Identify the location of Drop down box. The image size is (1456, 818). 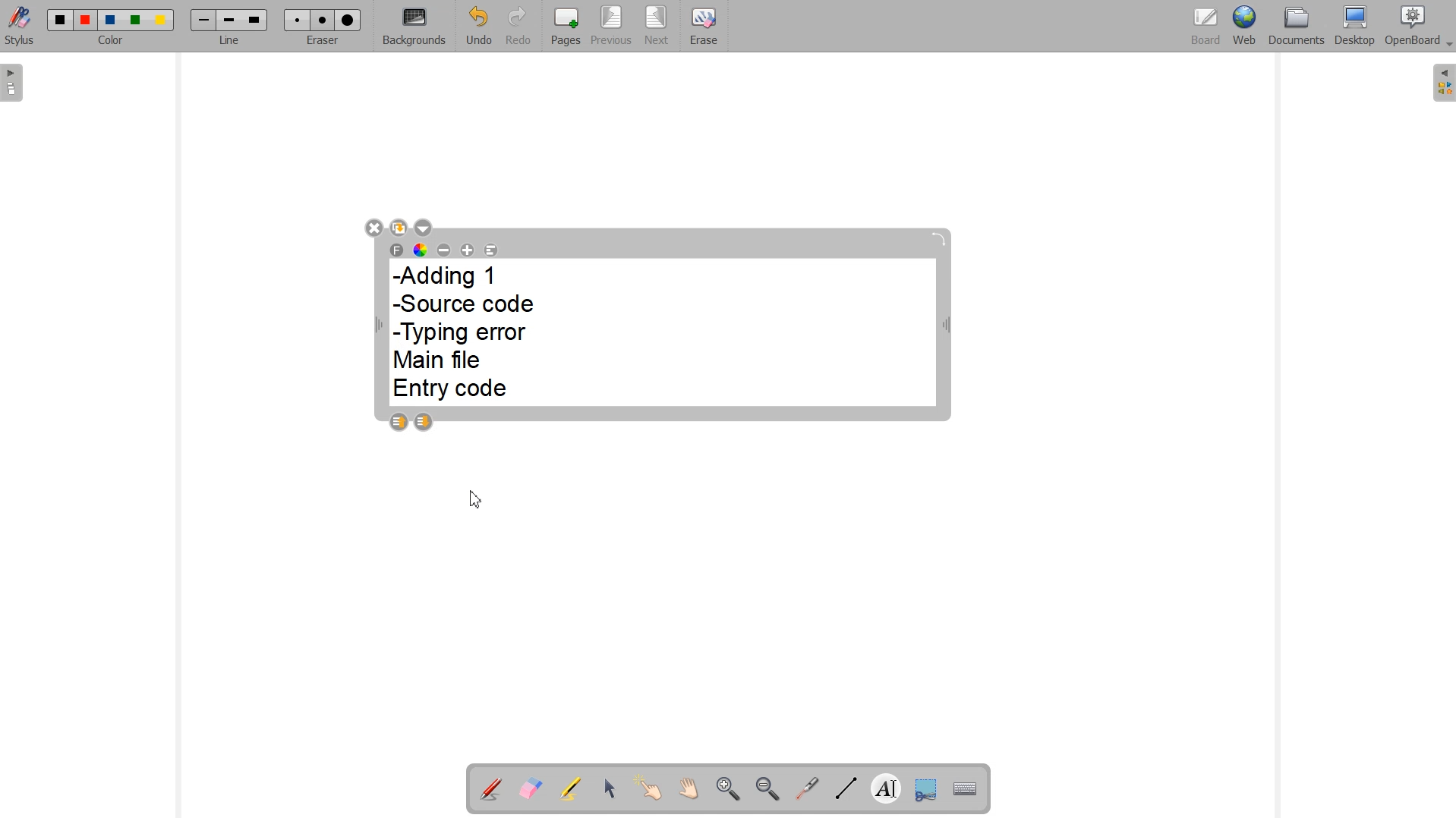
(425, 228).